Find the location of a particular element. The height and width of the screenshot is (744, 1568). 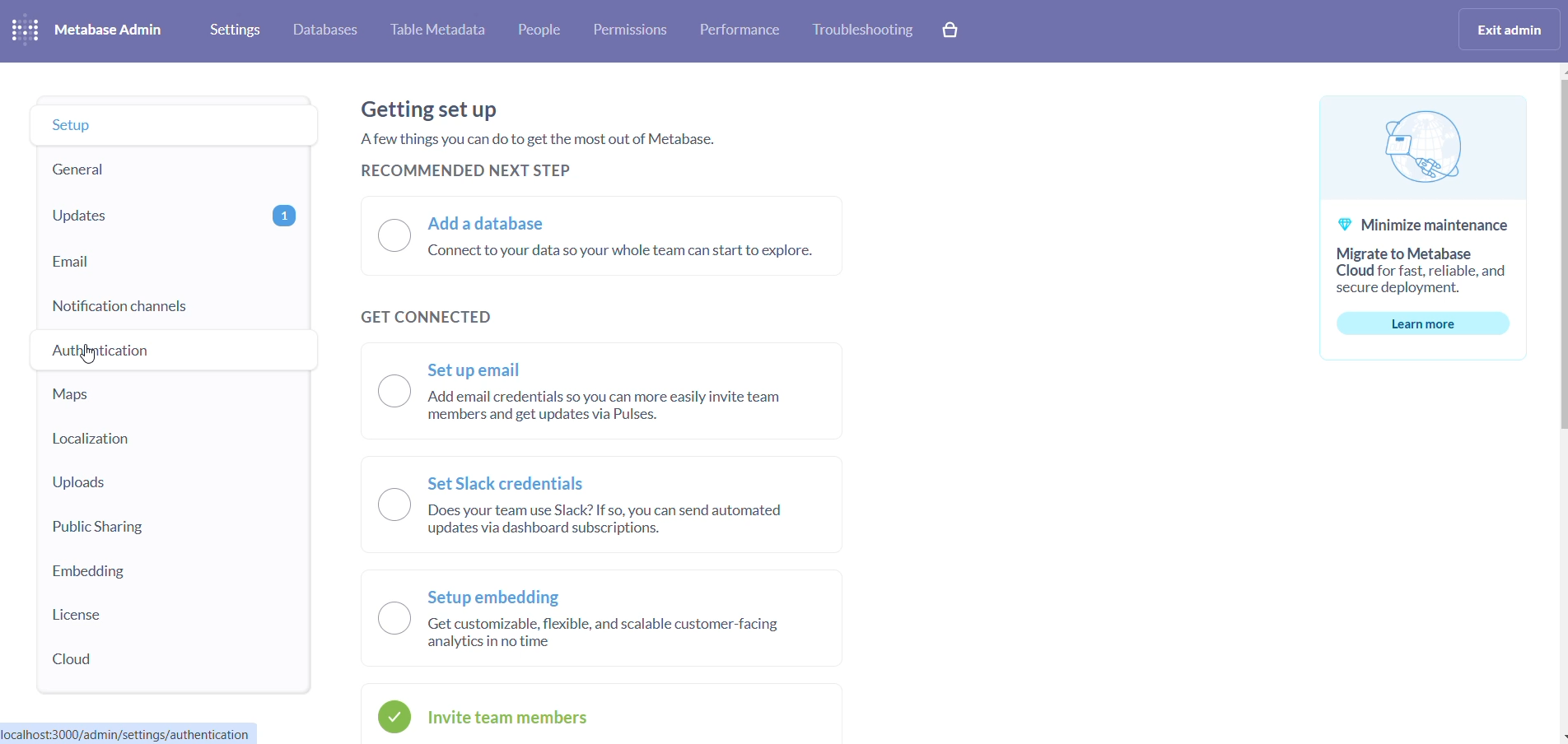

Setup embedding
O Get customizable, flexible, and scalable customer-facing
analytics in no time is located at coordinates (581, 619).